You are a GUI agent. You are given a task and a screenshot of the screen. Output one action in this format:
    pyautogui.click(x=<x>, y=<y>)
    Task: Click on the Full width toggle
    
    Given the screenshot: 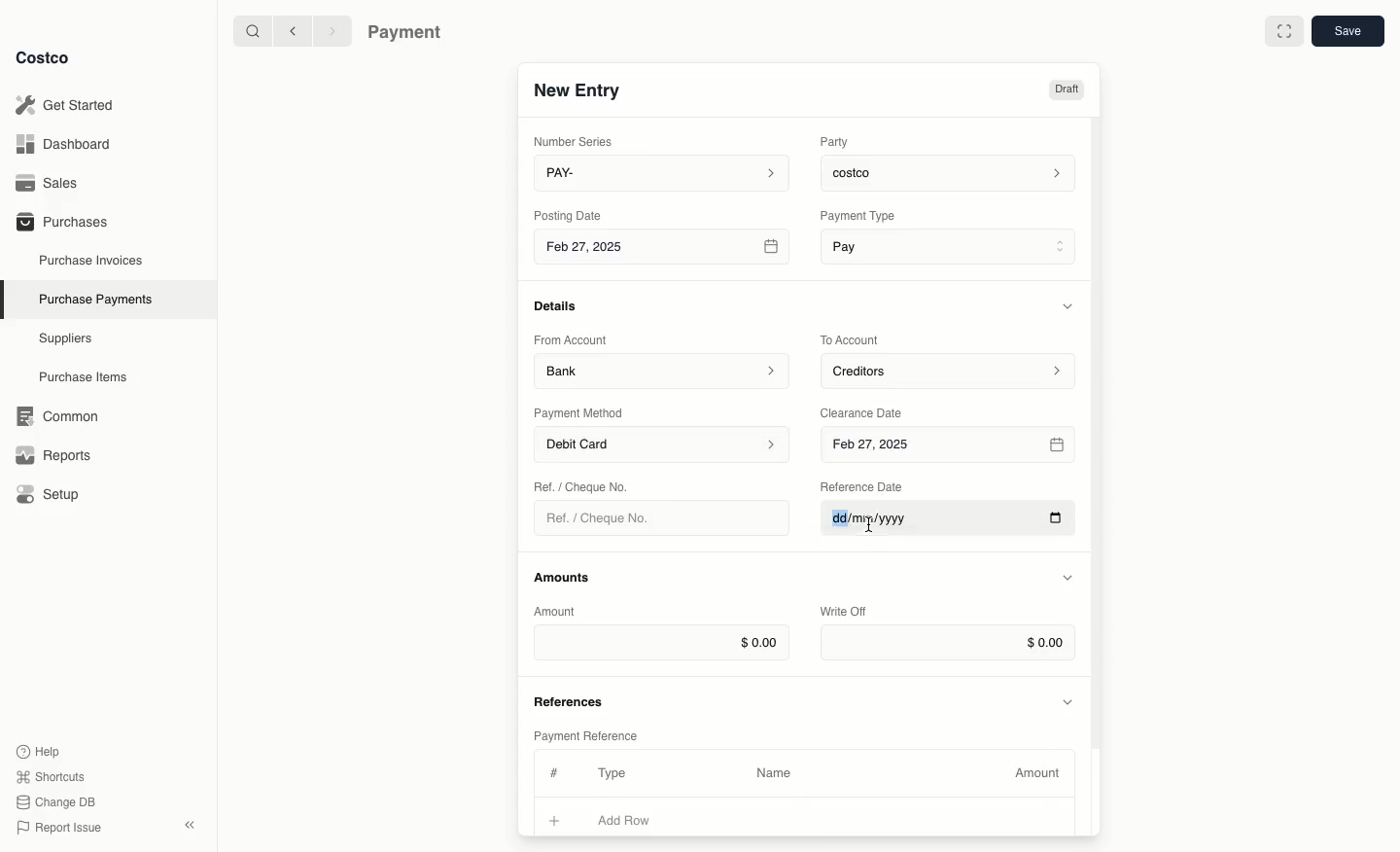 What is the action you would take?
    pyautogui.click(x=1284, y=34)
    